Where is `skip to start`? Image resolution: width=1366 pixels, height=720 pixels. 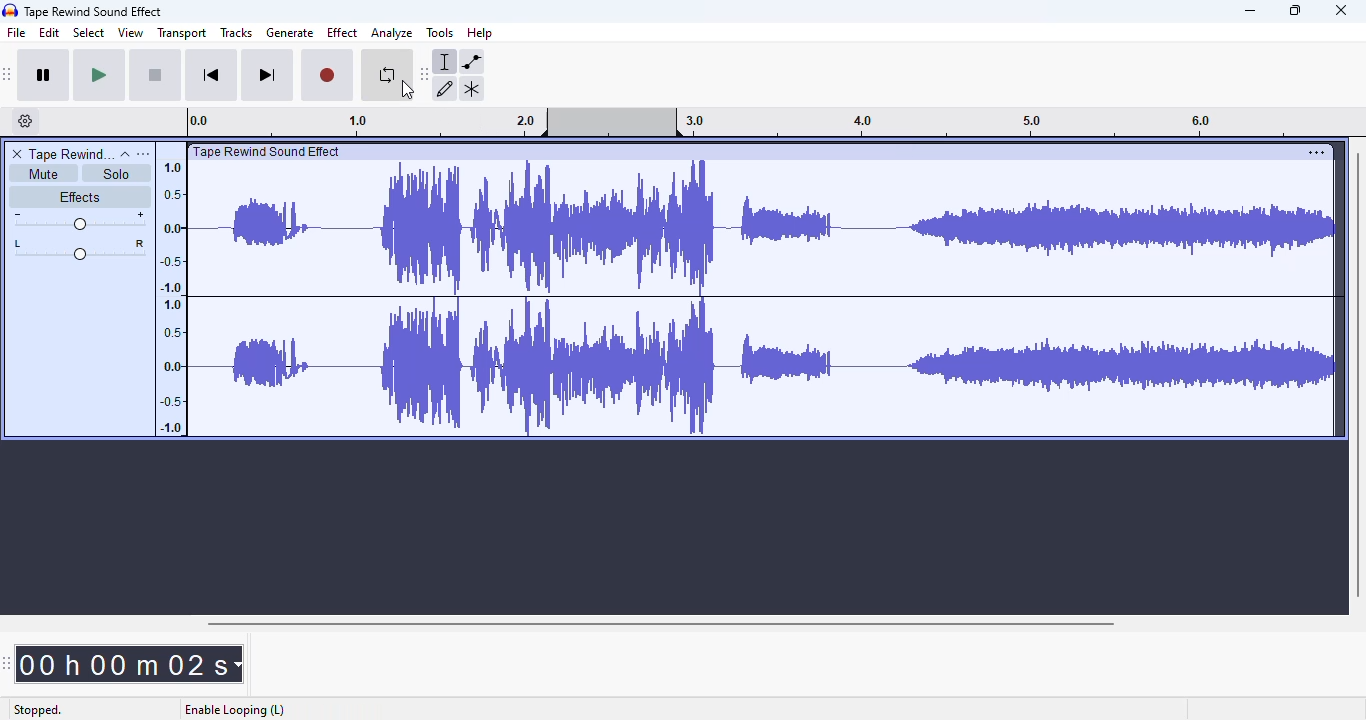
skip to start is located at coordinates (212, 75).